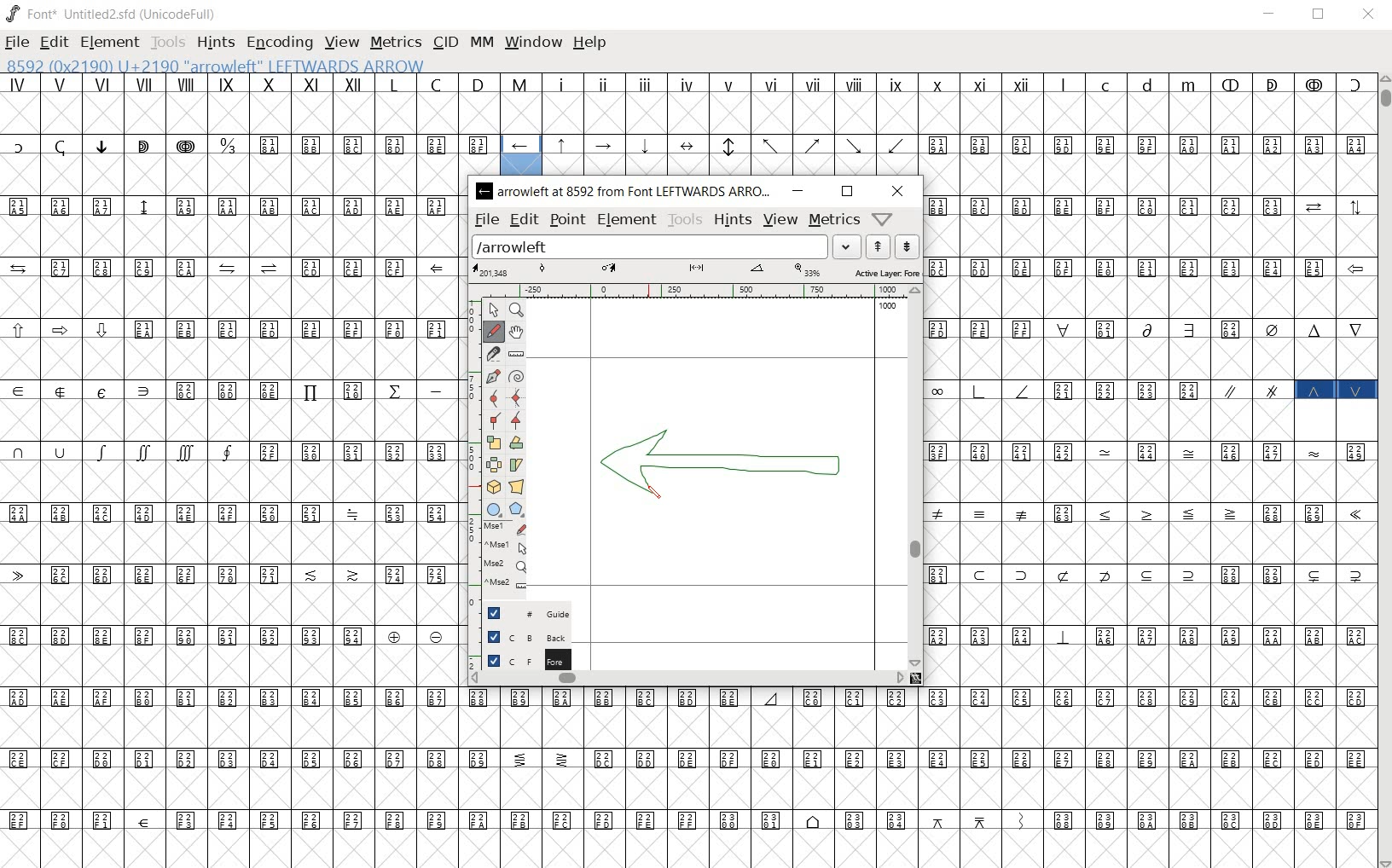 This screenshot has width=1392, height=868. Describe the element at coordinates (885, 219) in the screenshot. I see `Help/Window` at that location.